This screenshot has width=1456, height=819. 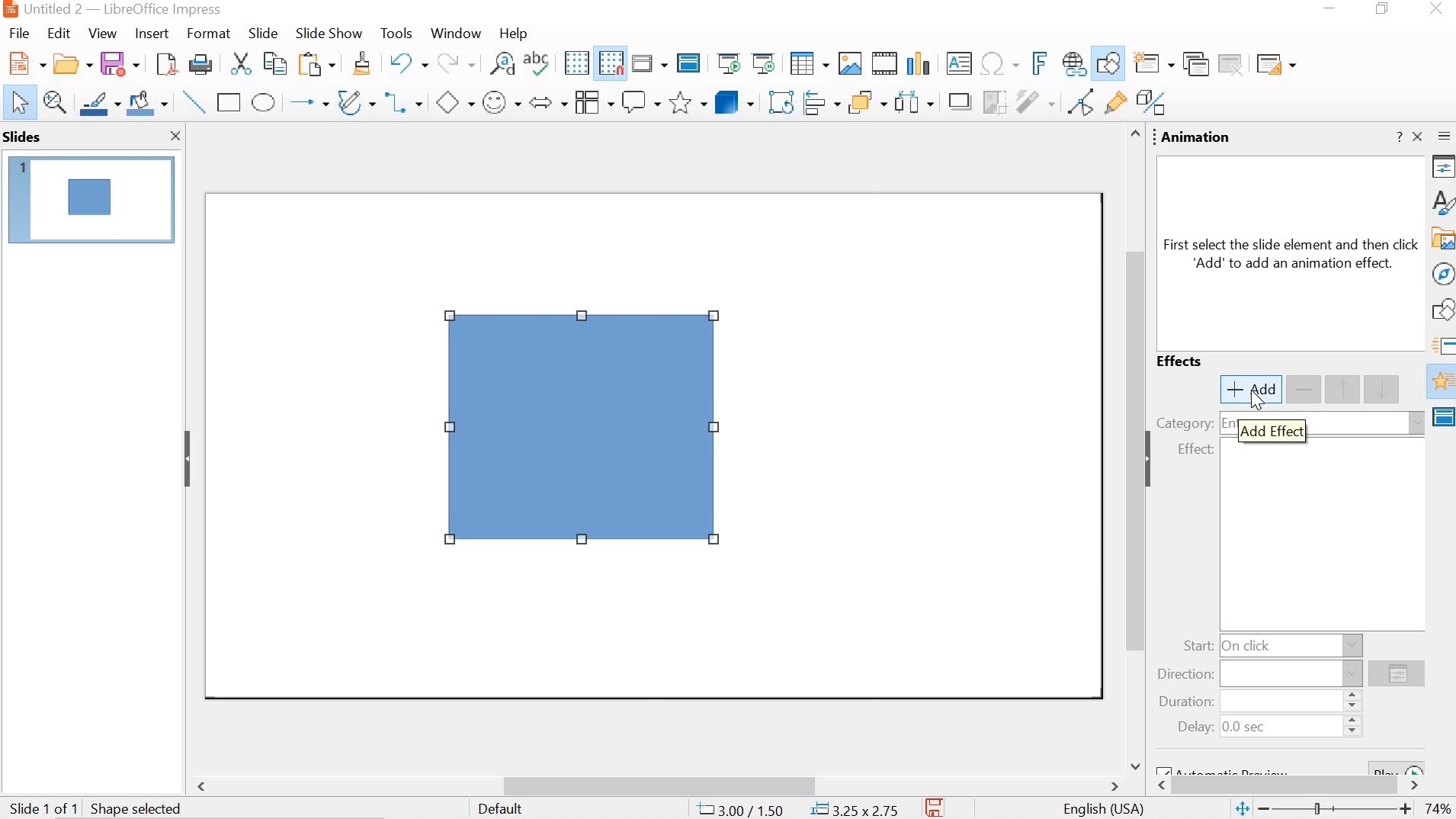 What do you see at coordinates (328, 34) in the screenshot?
I see `slideshow` at bounding box center [328, 34].